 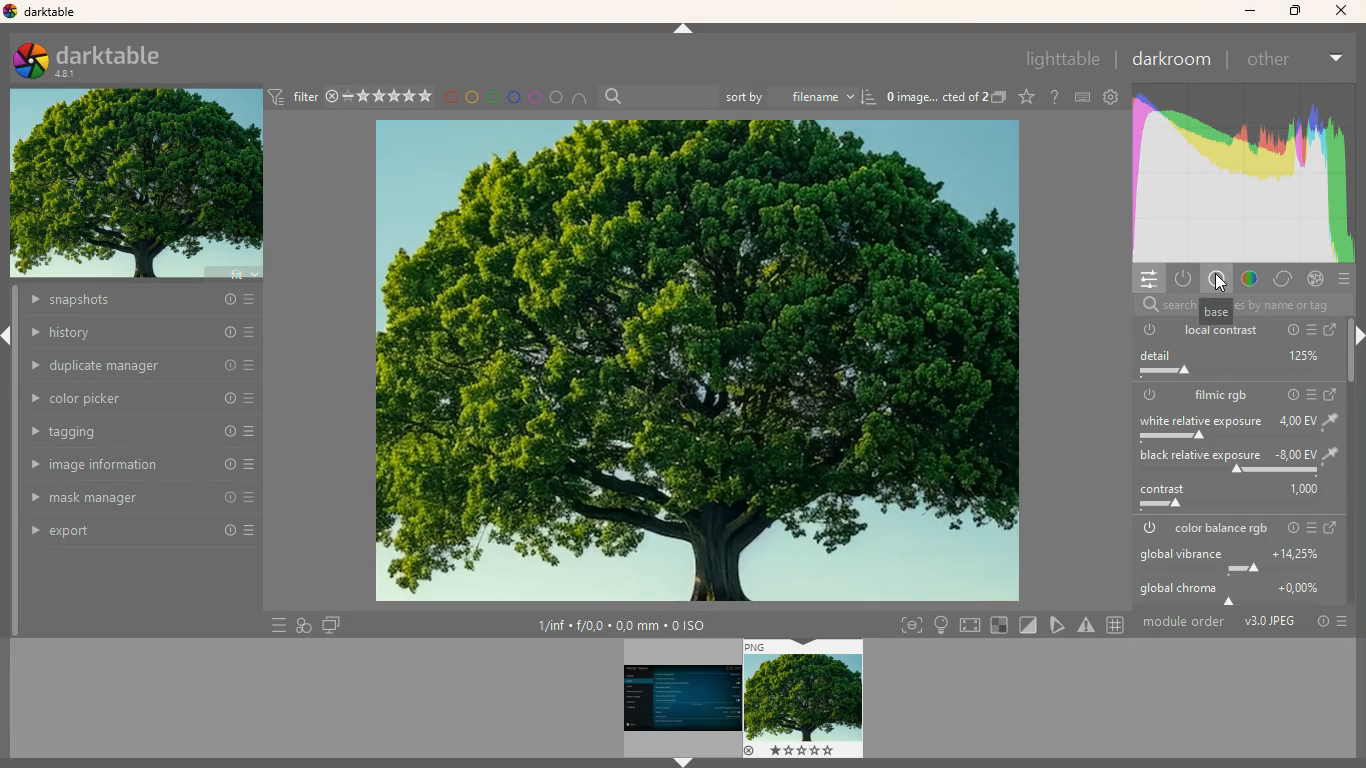 What do you see at coordinates (1293, 528) in the screenshot?
I see `info` at bounding box center [1293, 528].